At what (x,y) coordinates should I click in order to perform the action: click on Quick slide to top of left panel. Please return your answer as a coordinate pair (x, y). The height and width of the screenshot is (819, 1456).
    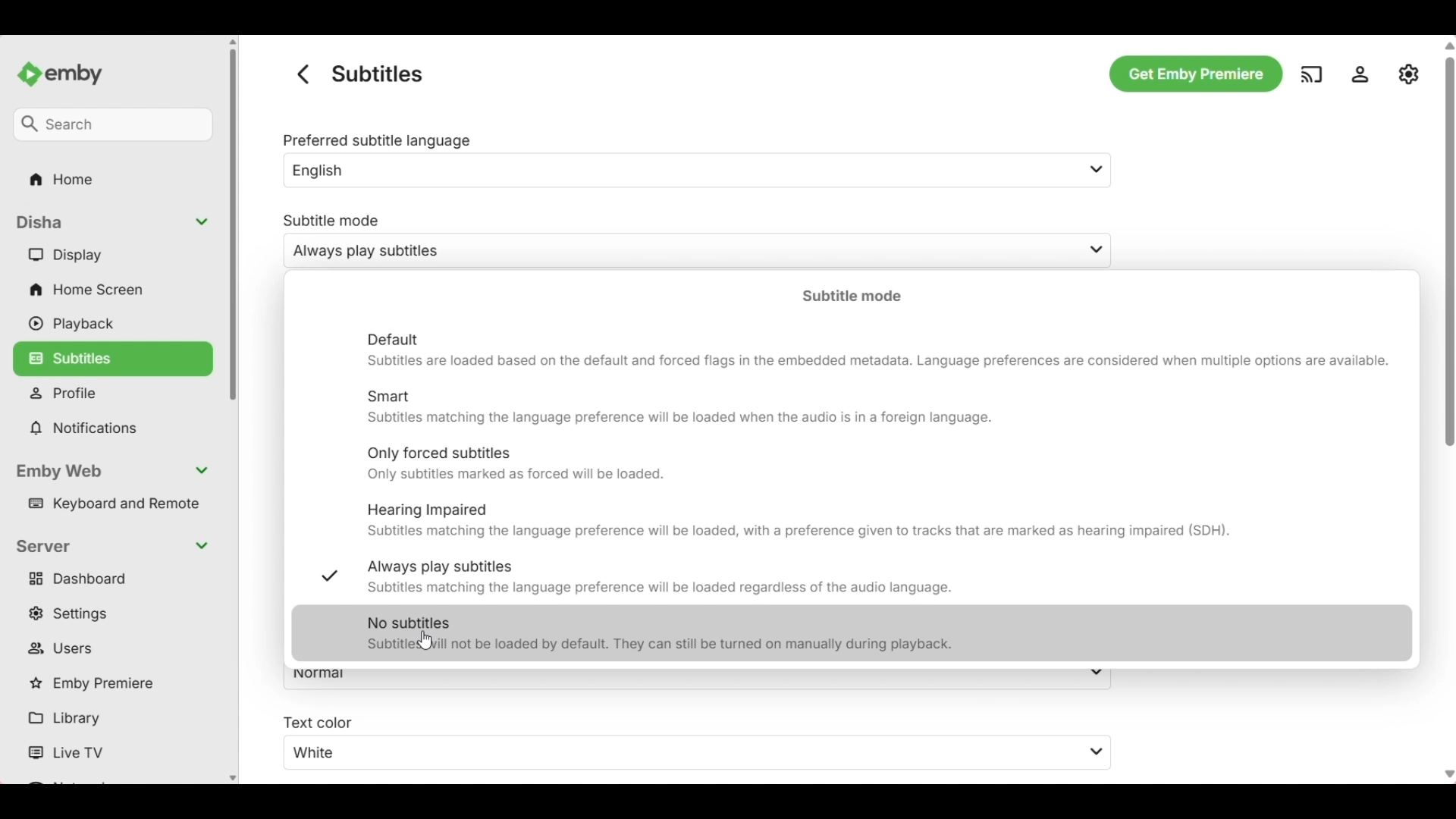
    Looking at the image, I should click on (233, 42).